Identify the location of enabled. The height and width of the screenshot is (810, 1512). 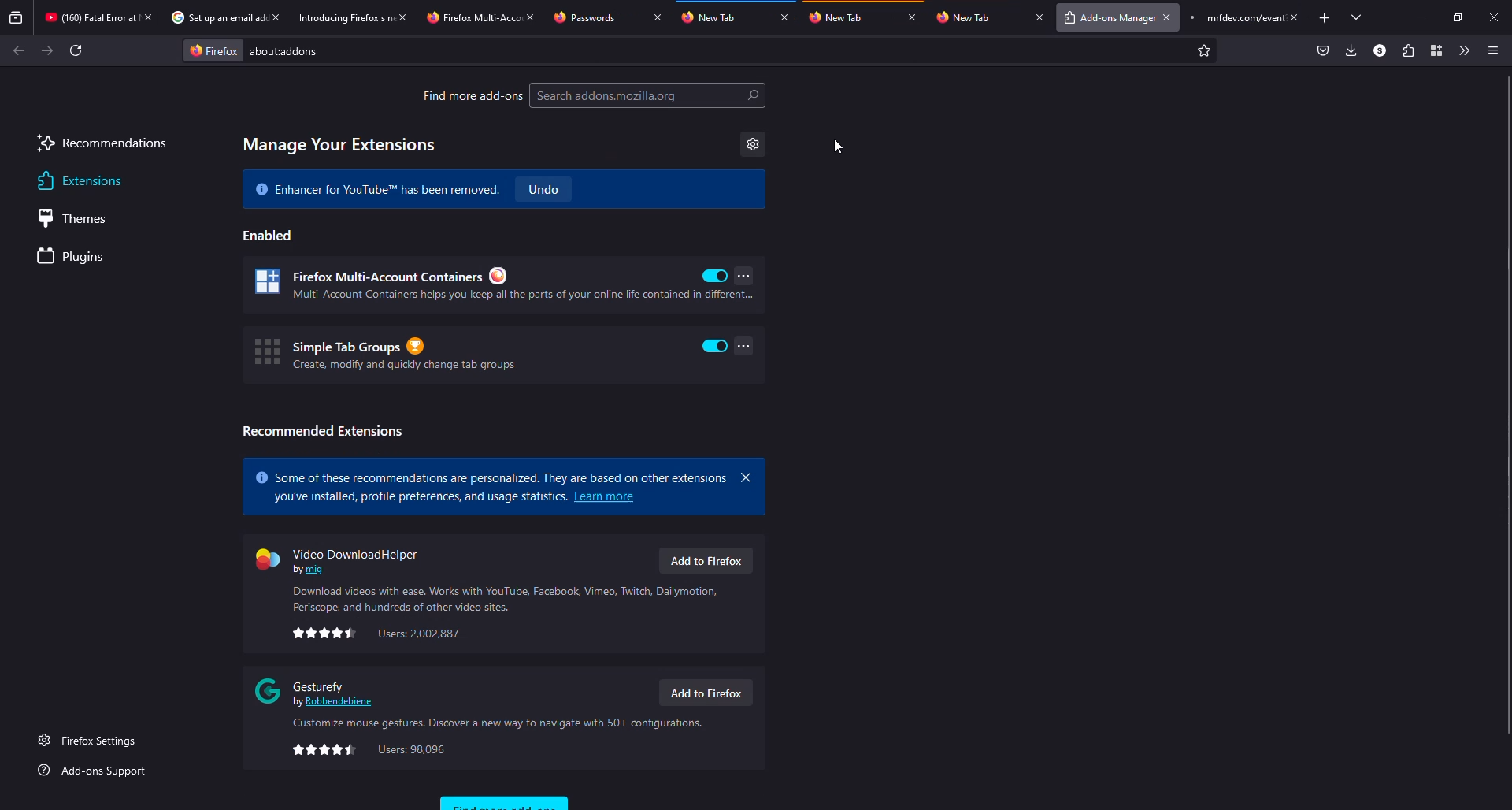
(716, 276).